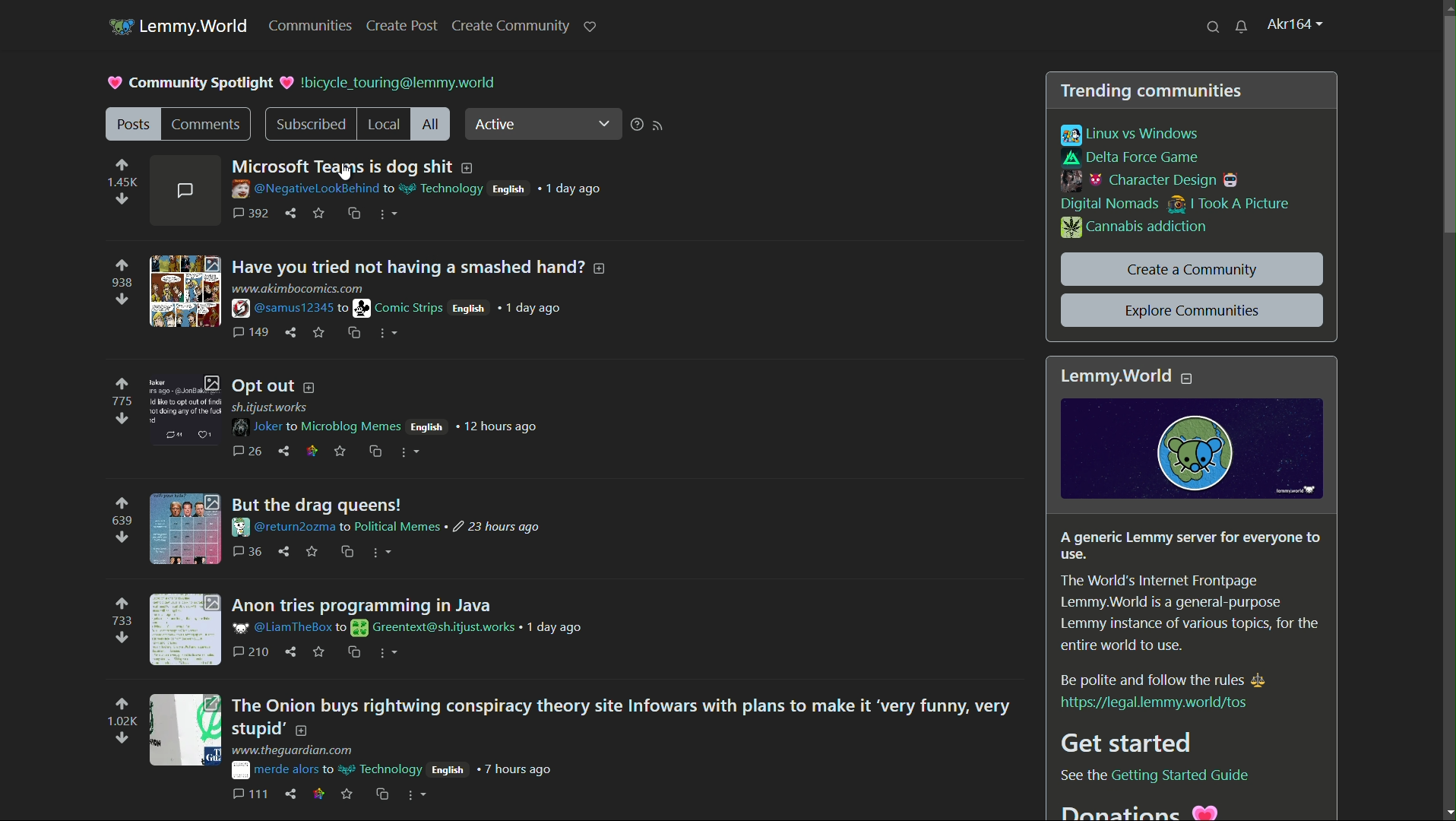  Describe the element at coordinates (122, 739) in the screenshot. I see `downvote` at that location.